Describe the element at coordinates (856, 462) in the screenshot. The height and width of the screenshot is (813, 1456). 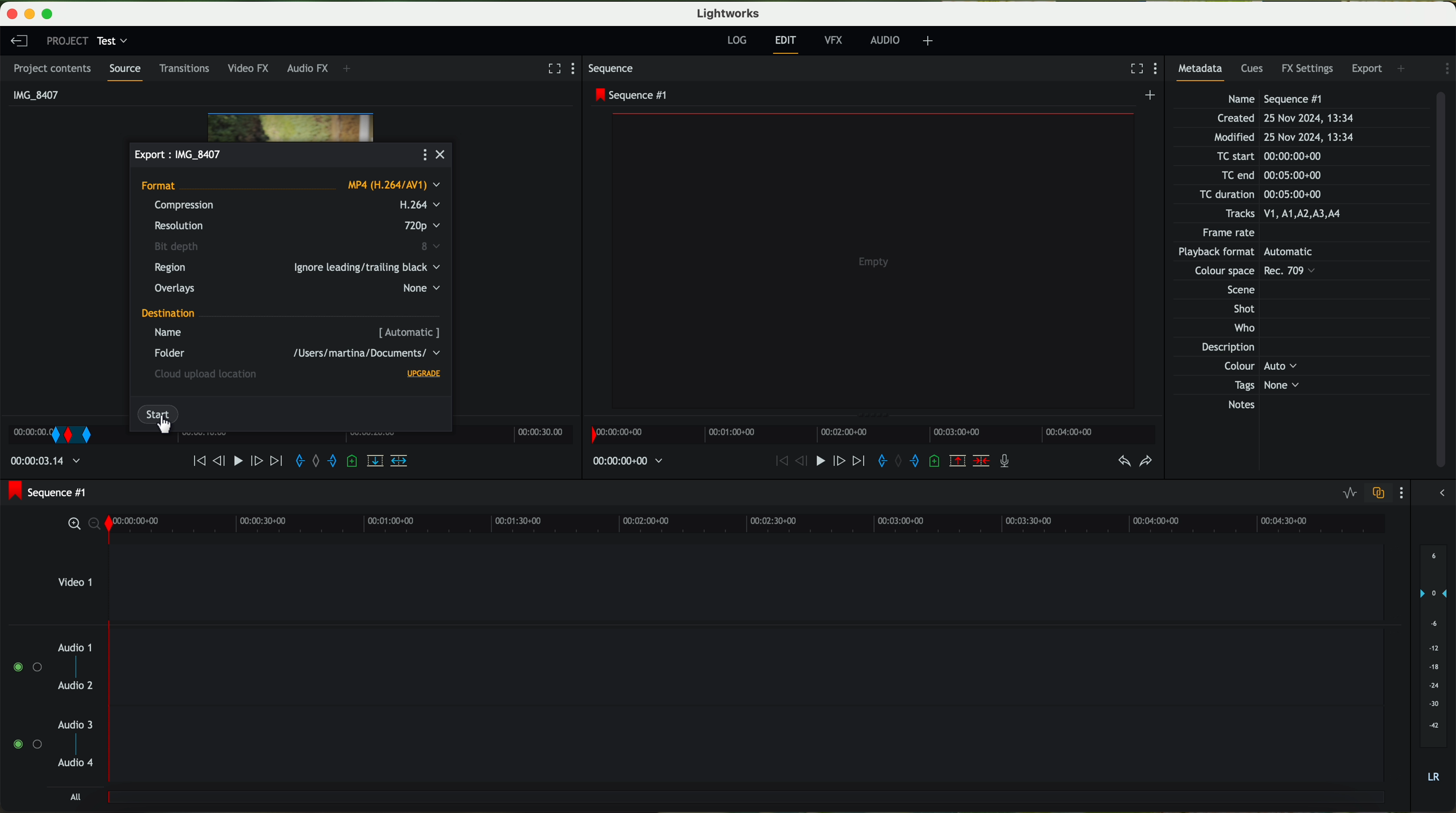
I see `move foward` at that location.